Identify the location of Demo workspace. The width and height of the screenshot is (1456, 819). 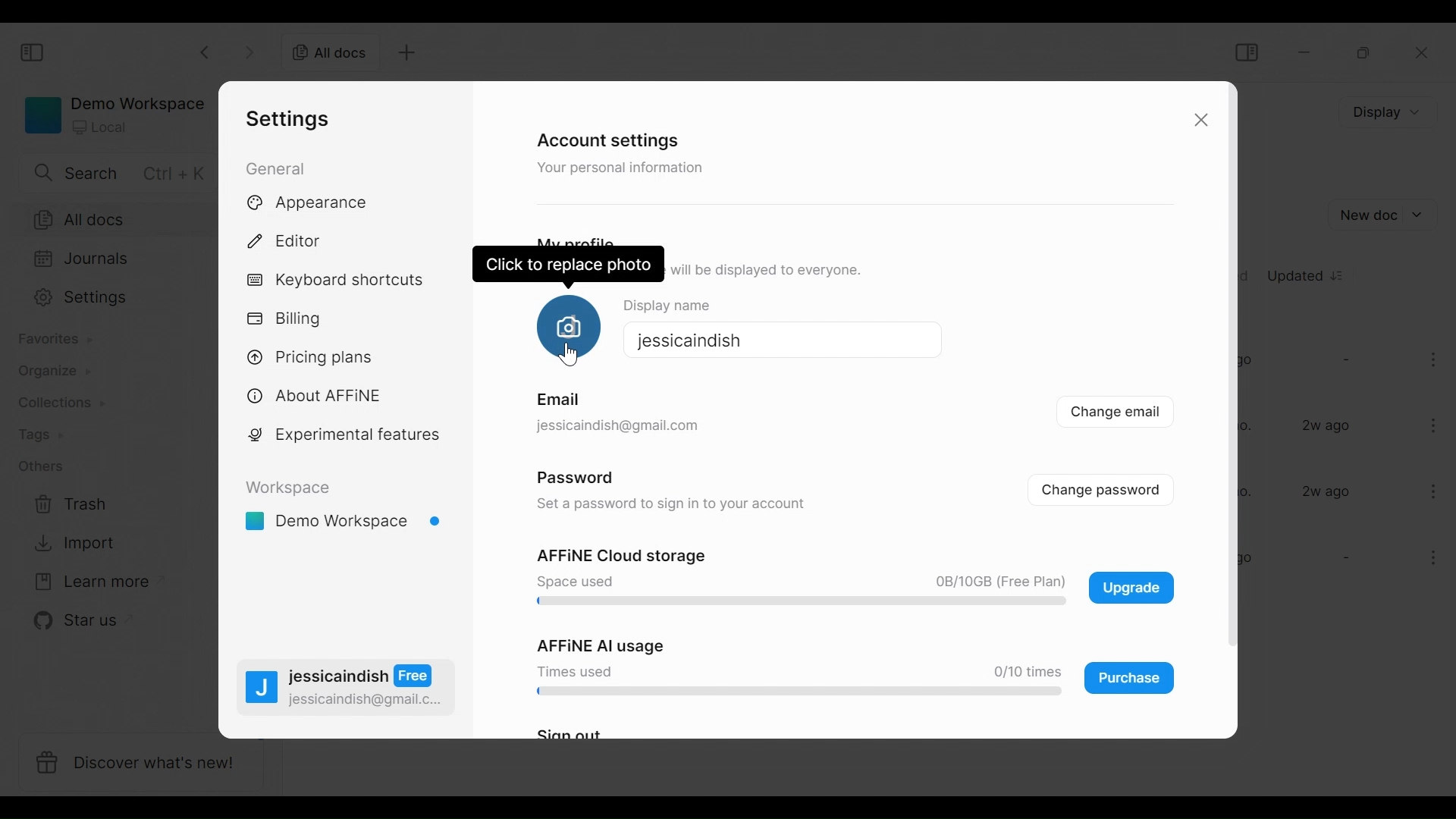
(112, 114).